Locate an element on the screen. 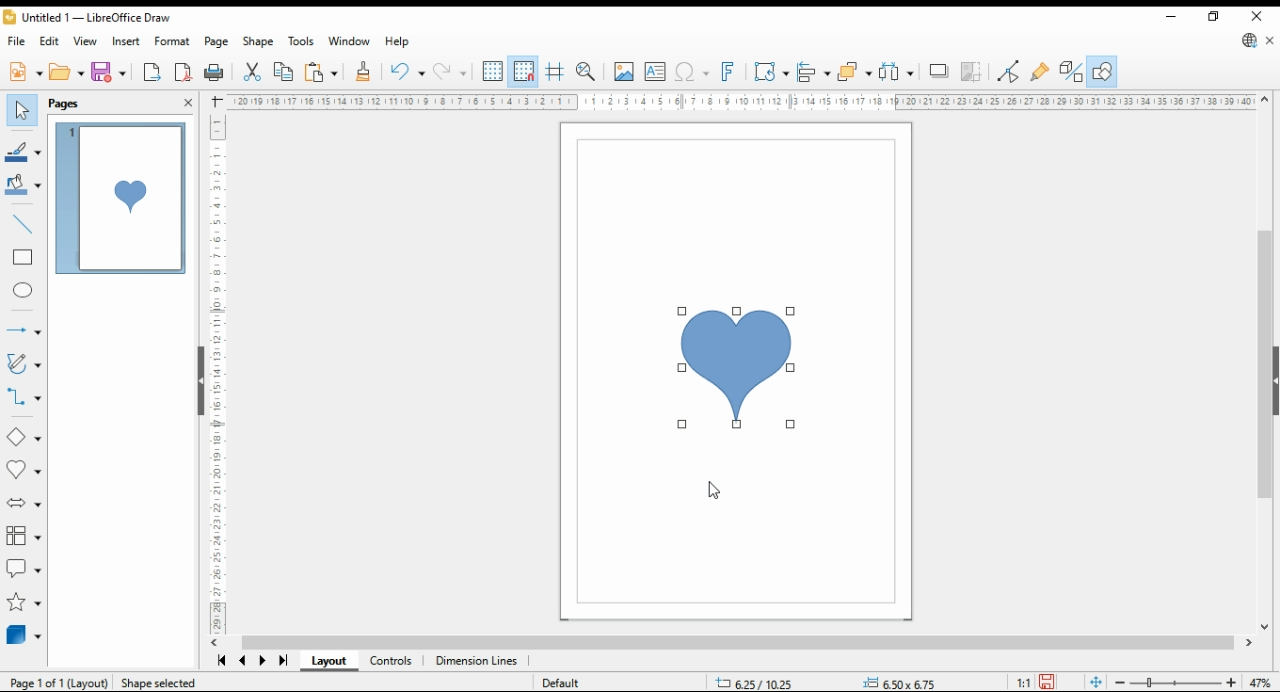 This screenshot has width=1280, height=692. undo is located at coordinates (405, 70).